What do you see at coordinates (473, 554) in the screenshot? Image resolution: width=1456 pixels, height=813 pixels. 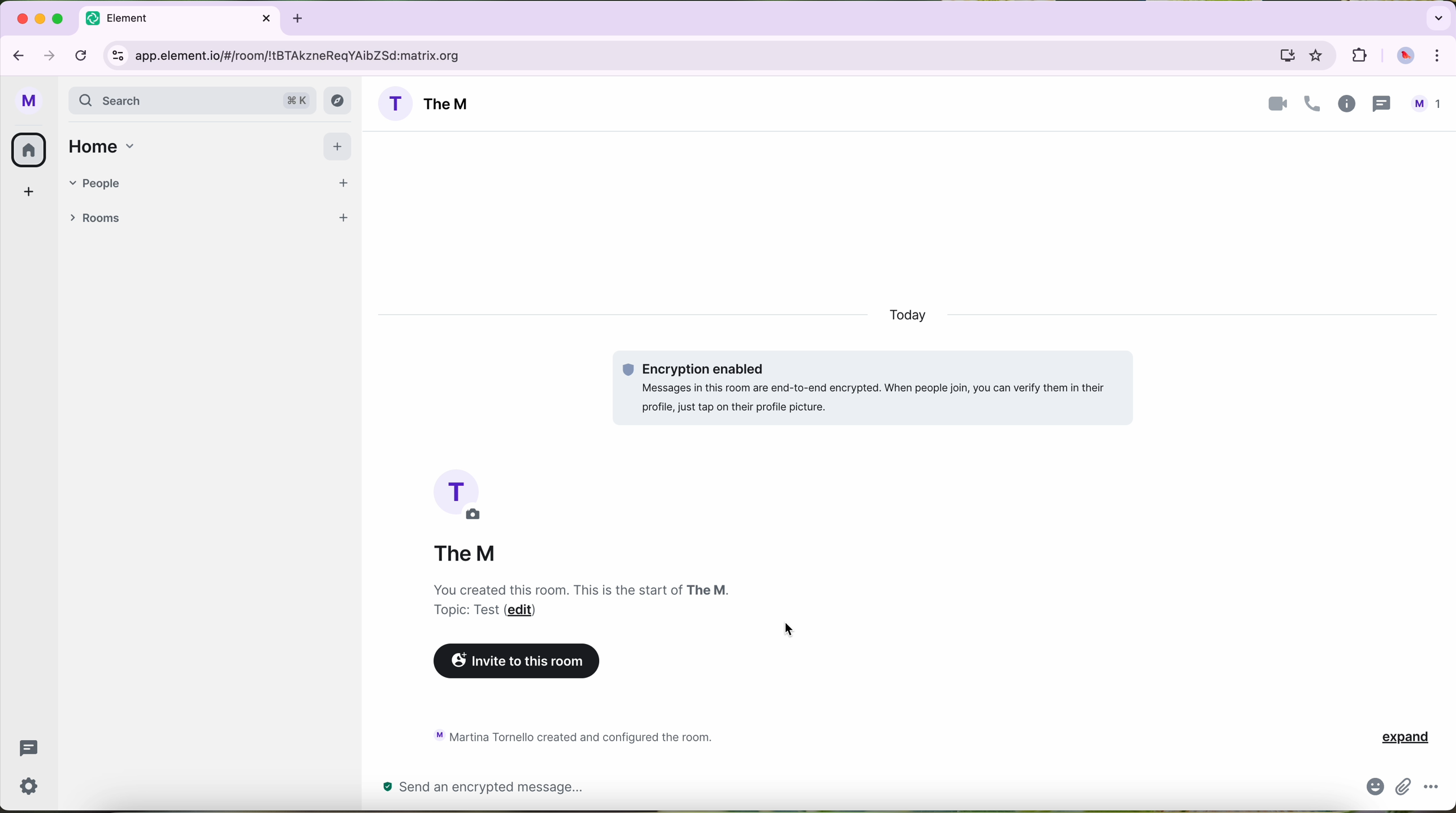 I see `The M` at bounding box center [473, 554].